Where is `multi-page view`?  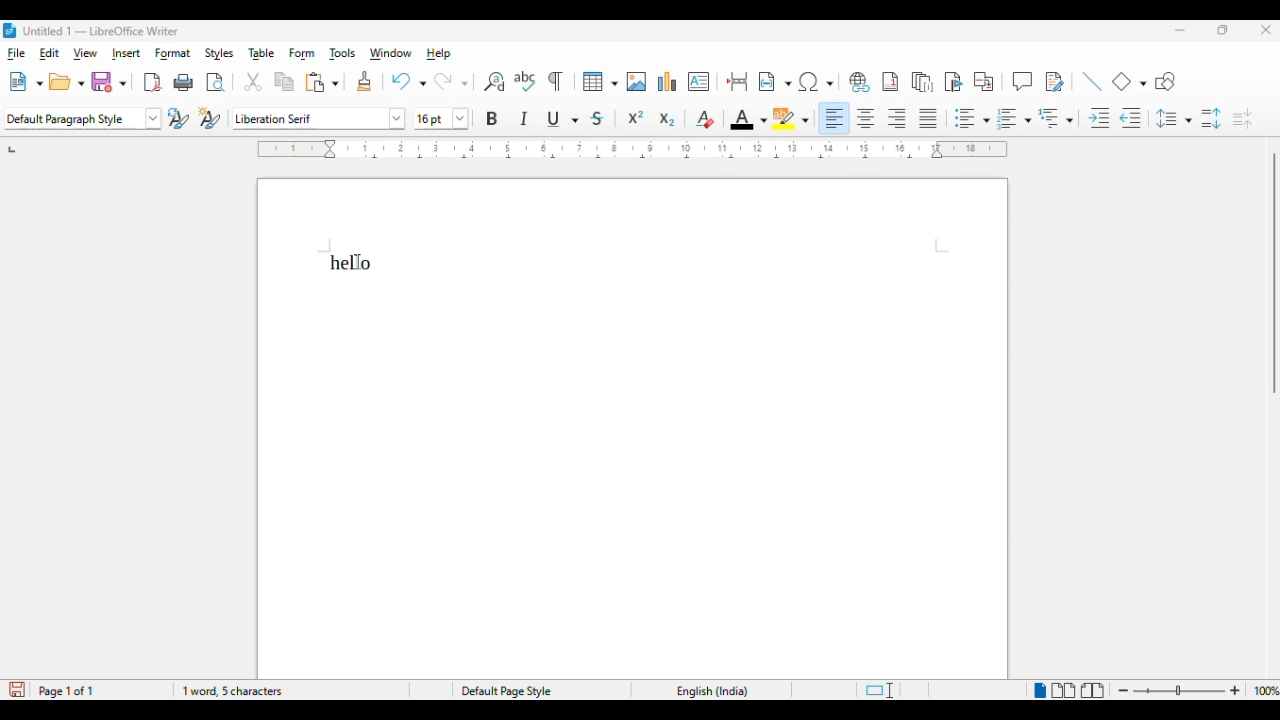 multi-page view is located at coordinates (1064, 690).